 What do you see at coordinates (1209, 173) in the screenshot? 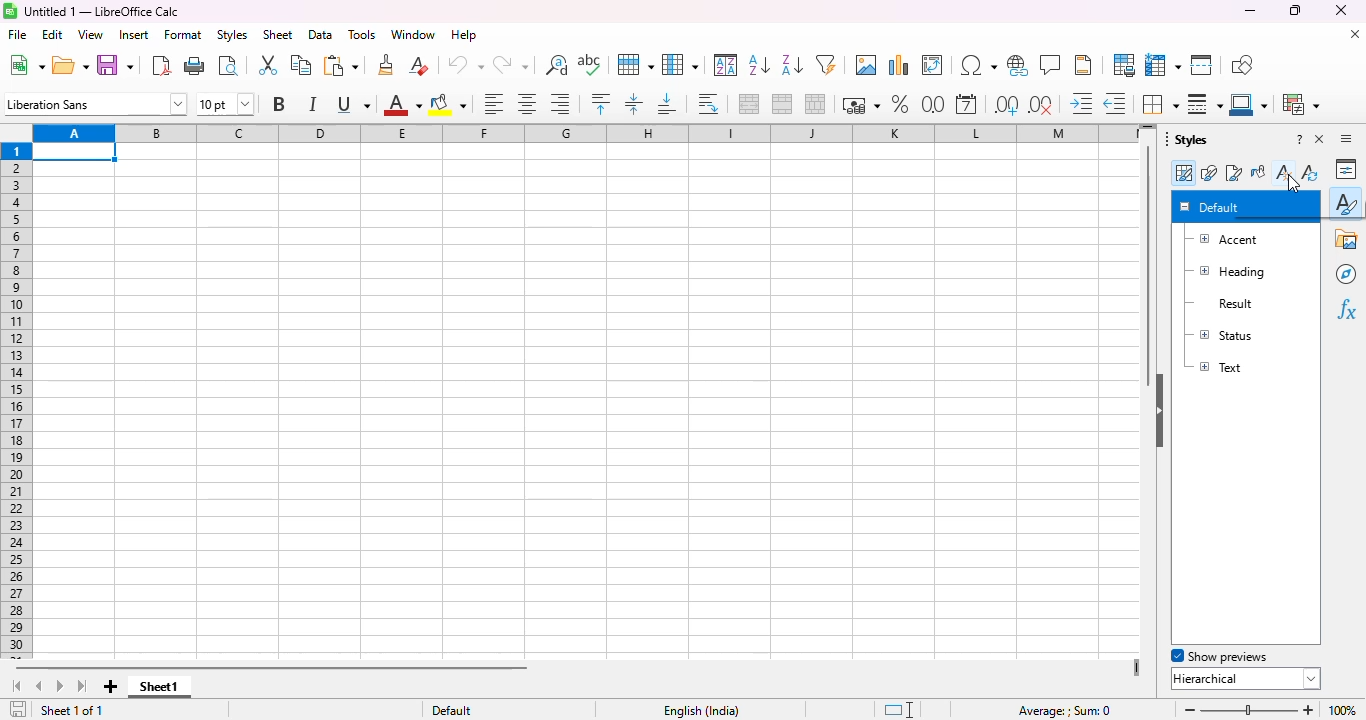
I see `drawing styles` at bounding box center [1209, 173].